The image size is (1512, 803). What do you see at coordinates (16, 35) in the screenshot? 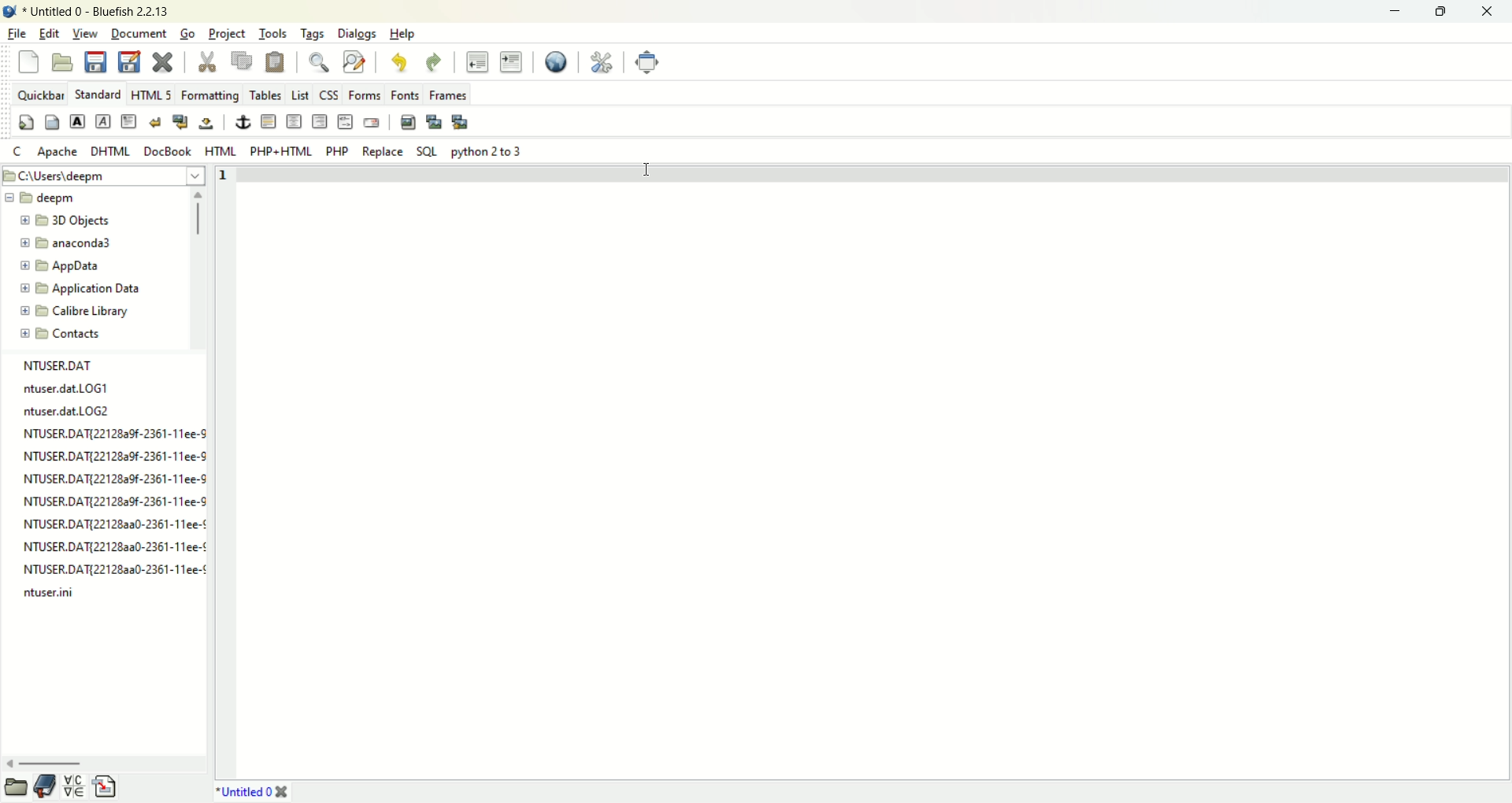
I see `file` at bounding box center [16, 35].